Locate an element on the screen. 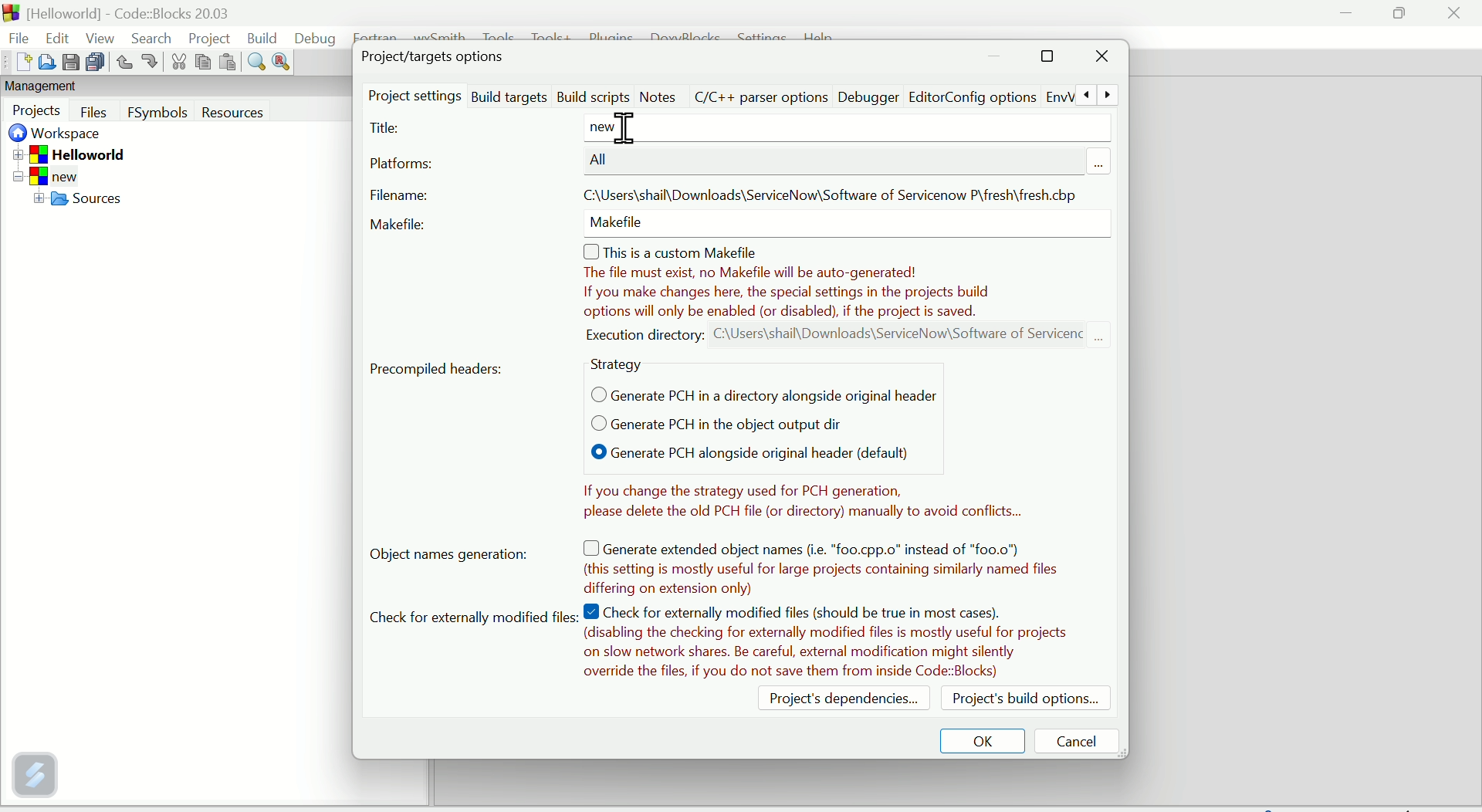 The image size is (1482, 812). Close is located at coordinates (1101, 59).